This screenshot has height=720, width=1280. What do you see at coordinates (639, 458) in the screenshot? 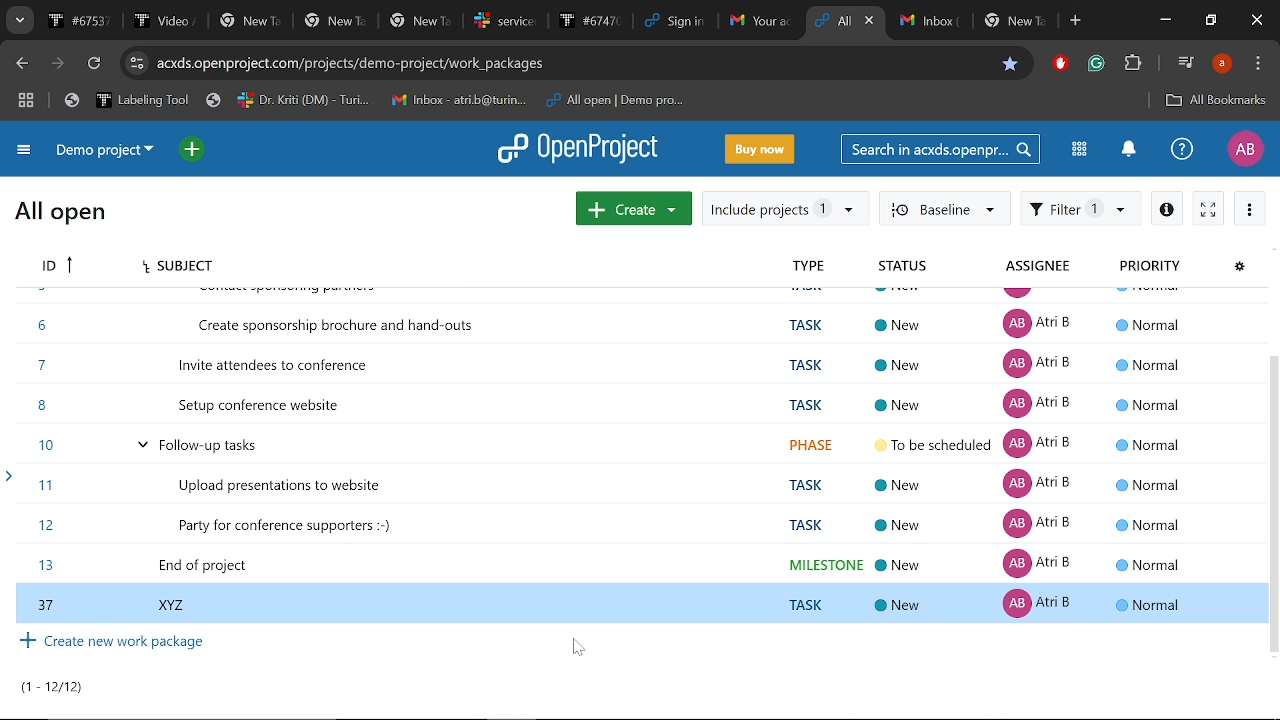
I see `Completed task removed ` at bounding box center [639, 458].